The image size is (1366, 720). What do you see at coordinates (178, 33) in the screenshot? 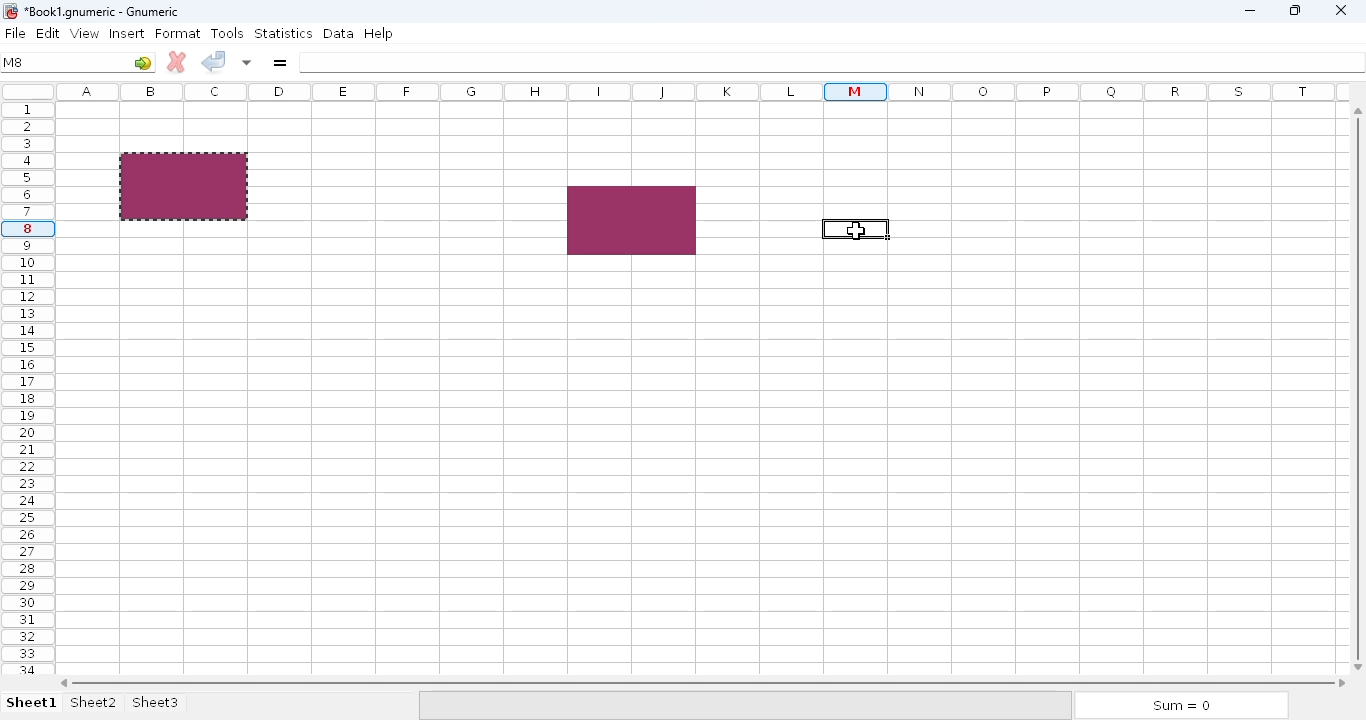
I see `format` at bounding box center [178, 33].